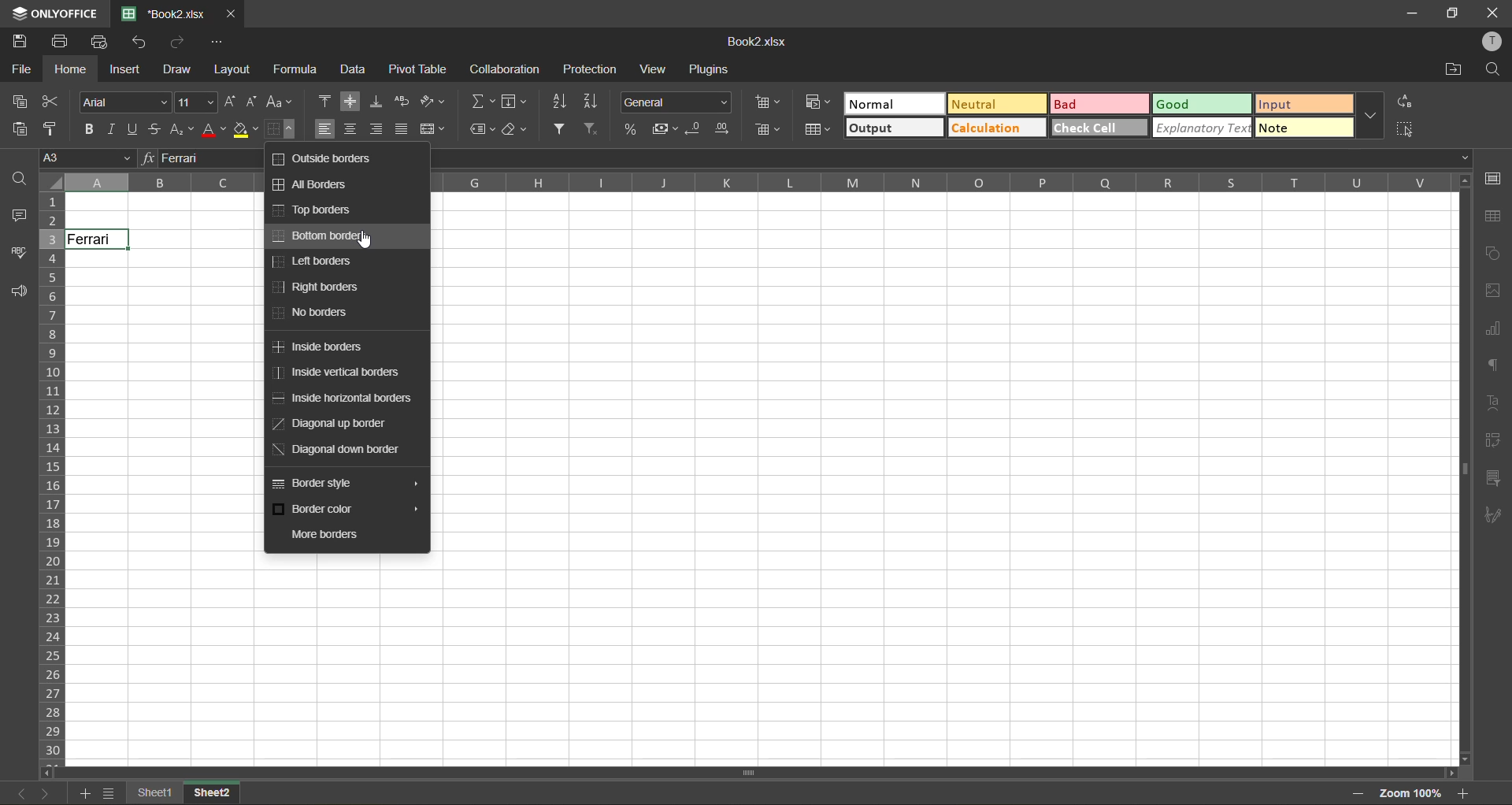 The width and height of the screenshot is (1512, 805). I want to click on row numbers, so click(52, 476).